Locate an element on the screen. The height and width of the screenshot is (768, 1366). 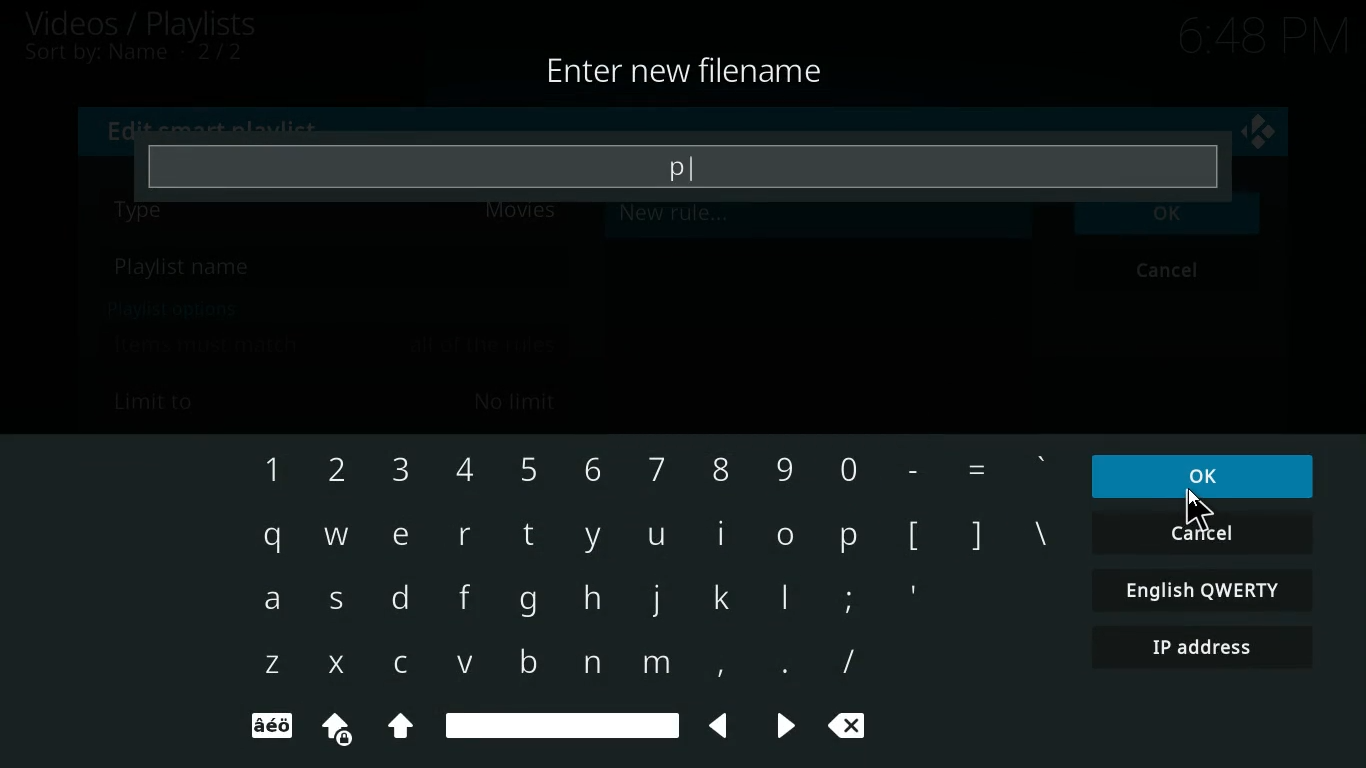
j is located at coordinates (657, 599).